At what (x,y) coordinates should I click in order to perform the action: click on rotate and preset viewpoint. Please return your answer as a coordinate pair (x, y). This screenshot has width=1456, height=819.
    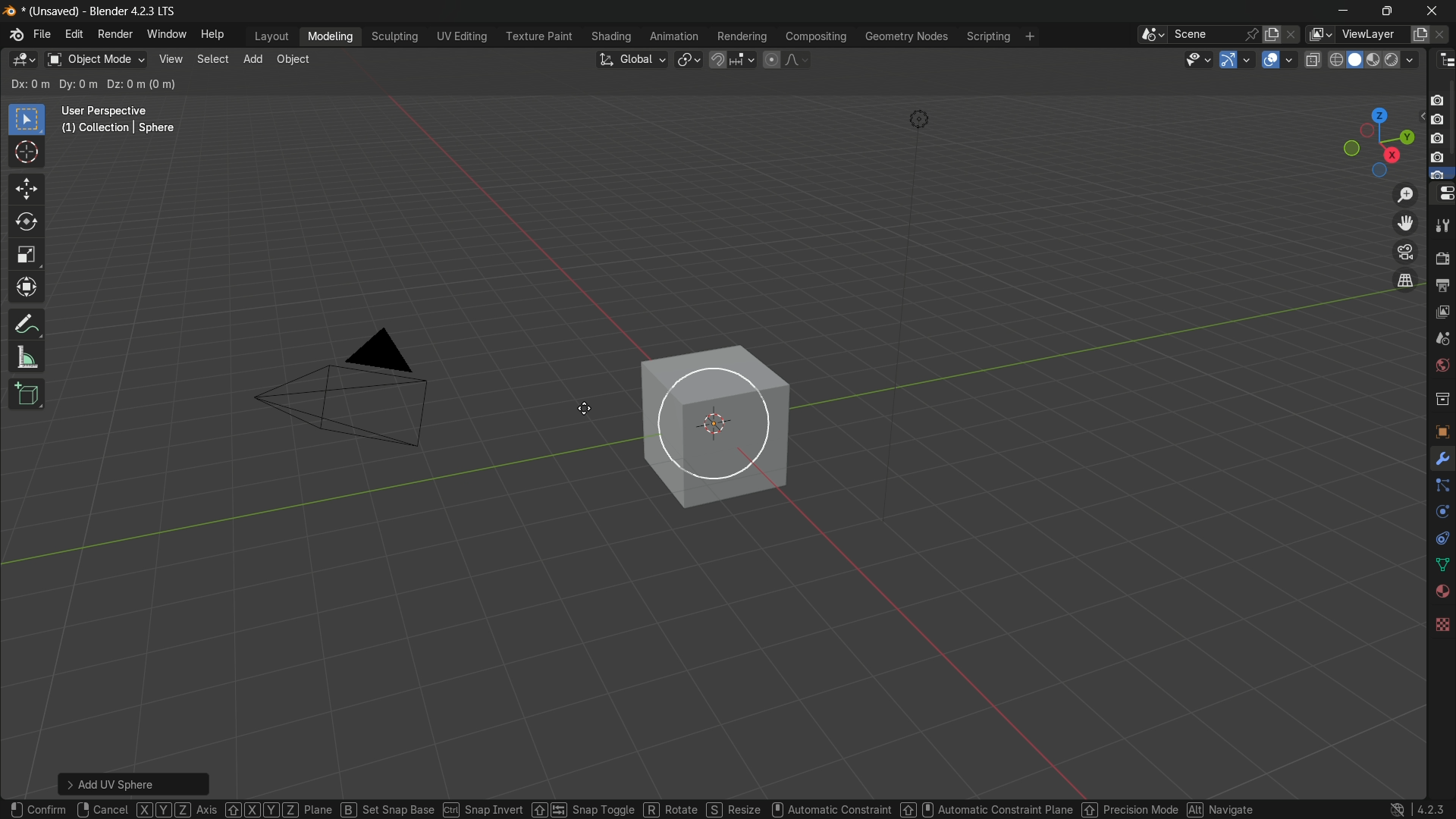
    Looking at the image, I should click on (1375, 140).